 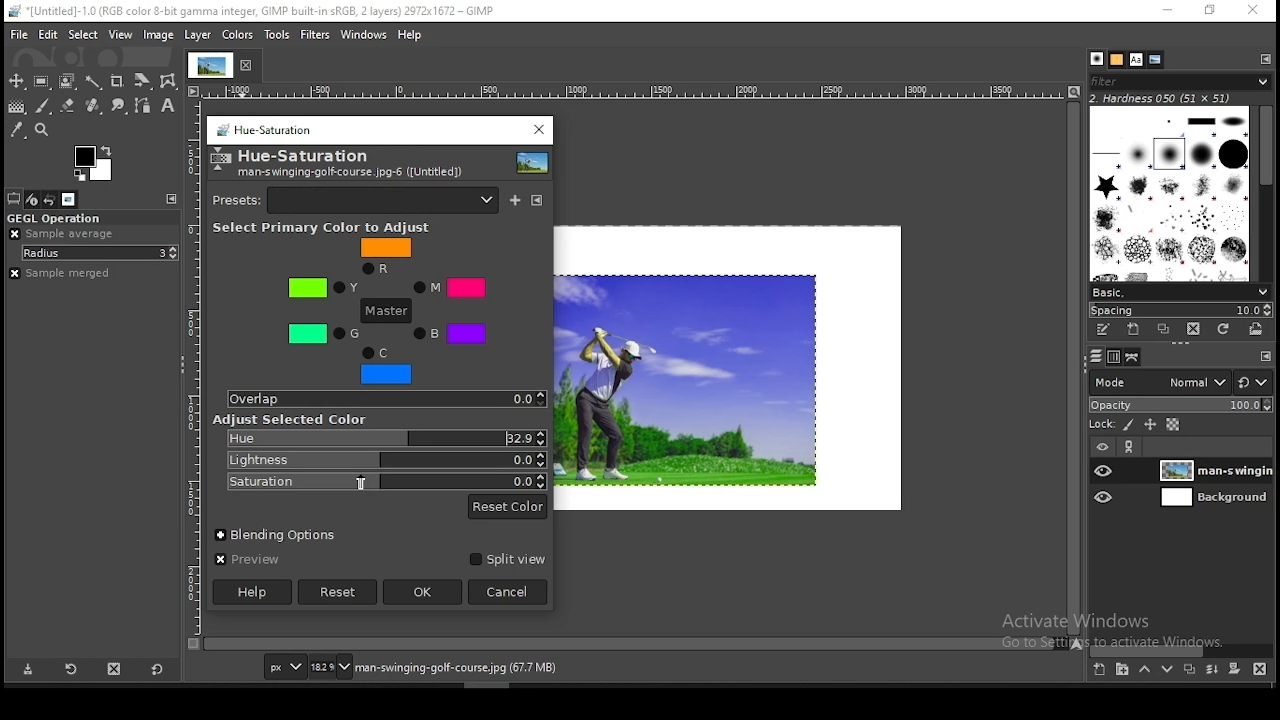 I want to click on master, so click(x=387, y=311).